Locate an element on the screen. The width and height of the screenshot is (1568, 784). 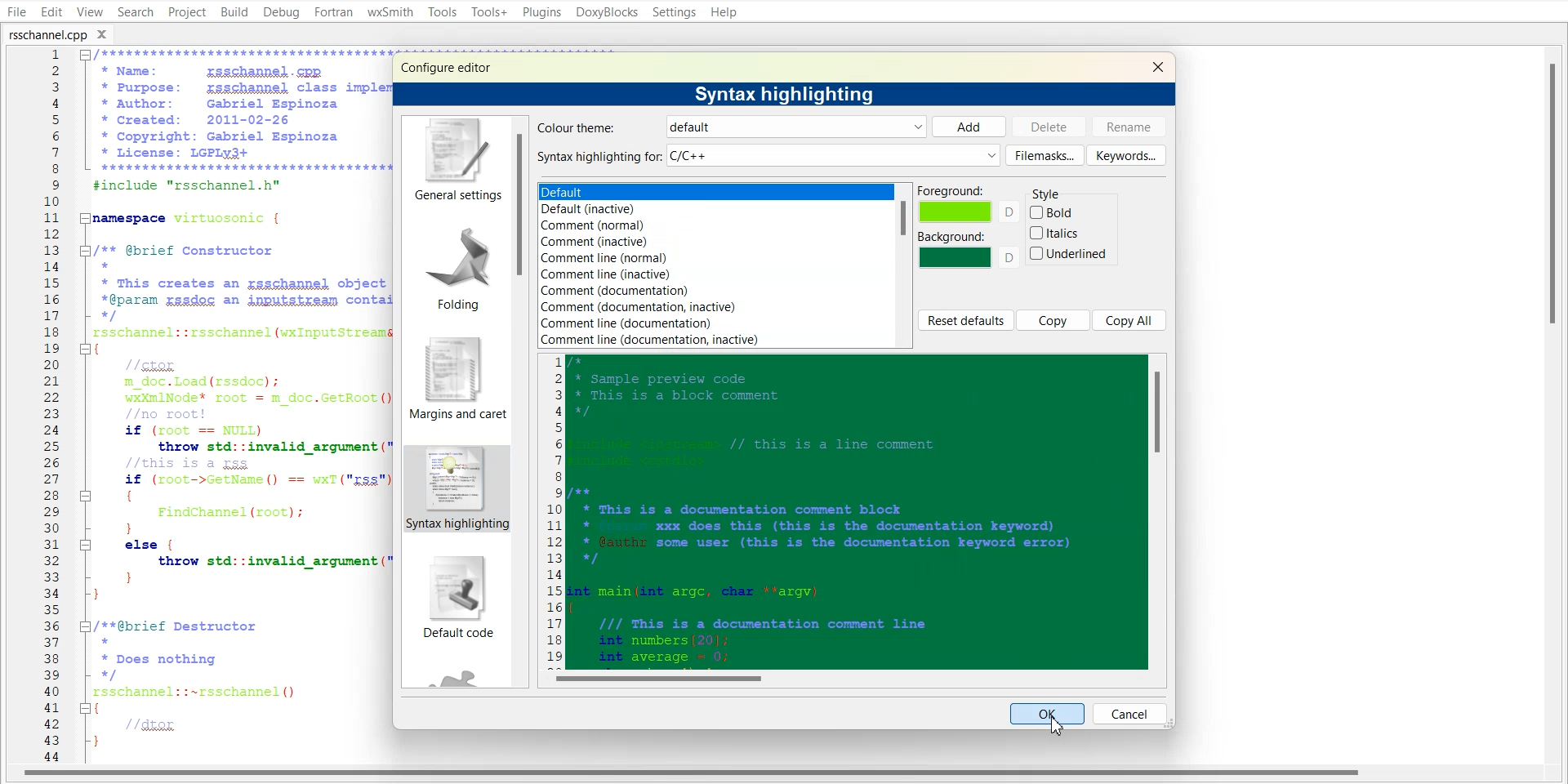
Rename is located at coordinates (1129, 127).